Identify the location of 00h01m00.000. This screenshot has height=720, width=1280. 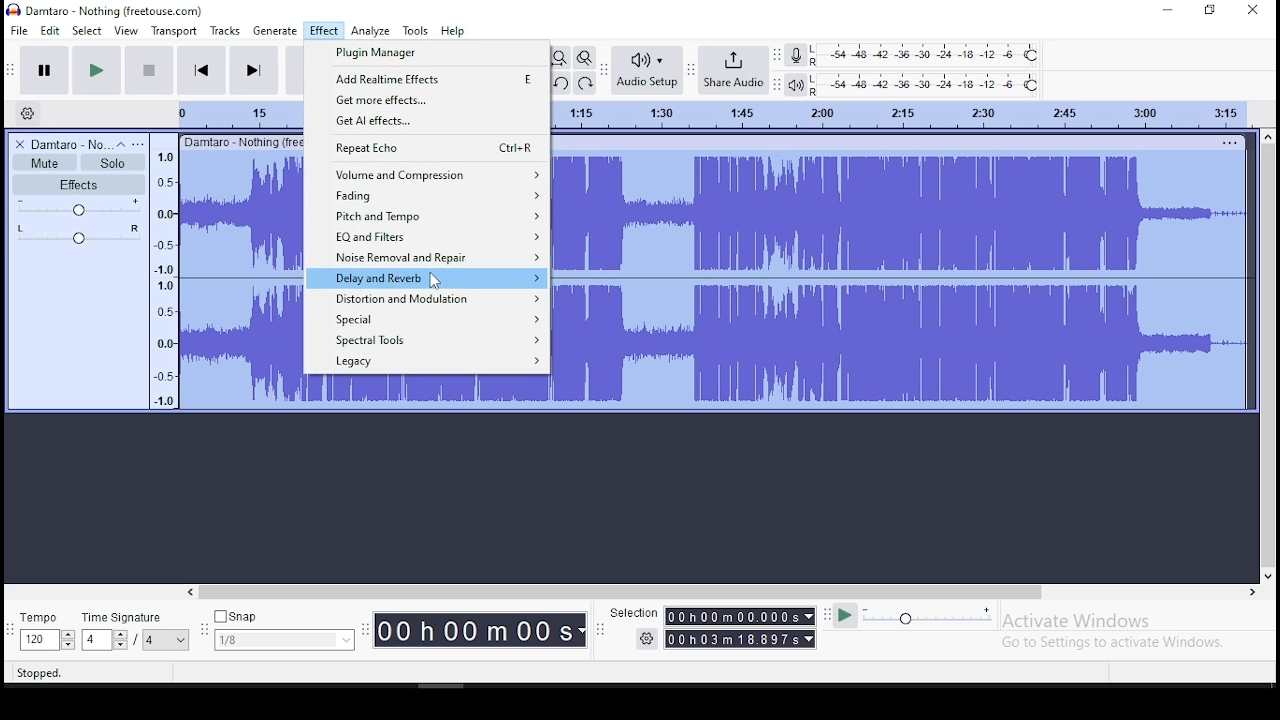
(732, 616).